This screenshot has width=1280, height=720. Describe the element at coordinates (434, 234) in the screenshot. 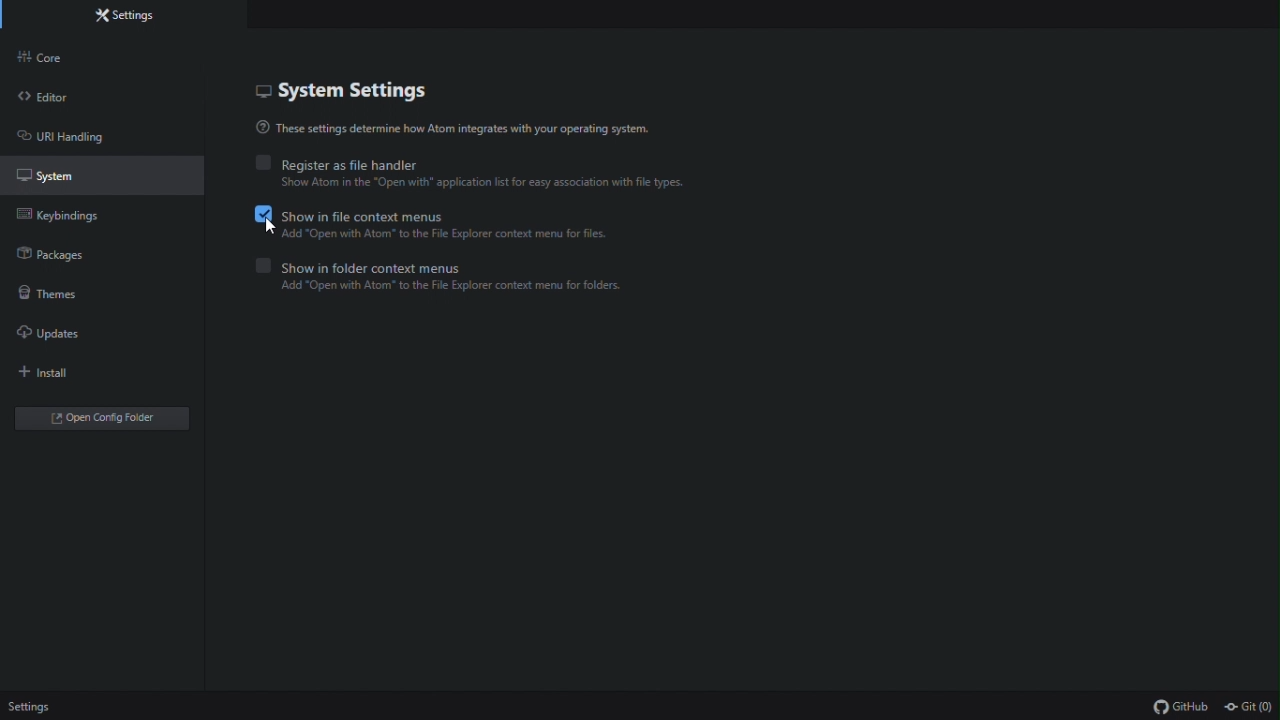

I see `Add open with atom to the explorer context menu for files` at that location.